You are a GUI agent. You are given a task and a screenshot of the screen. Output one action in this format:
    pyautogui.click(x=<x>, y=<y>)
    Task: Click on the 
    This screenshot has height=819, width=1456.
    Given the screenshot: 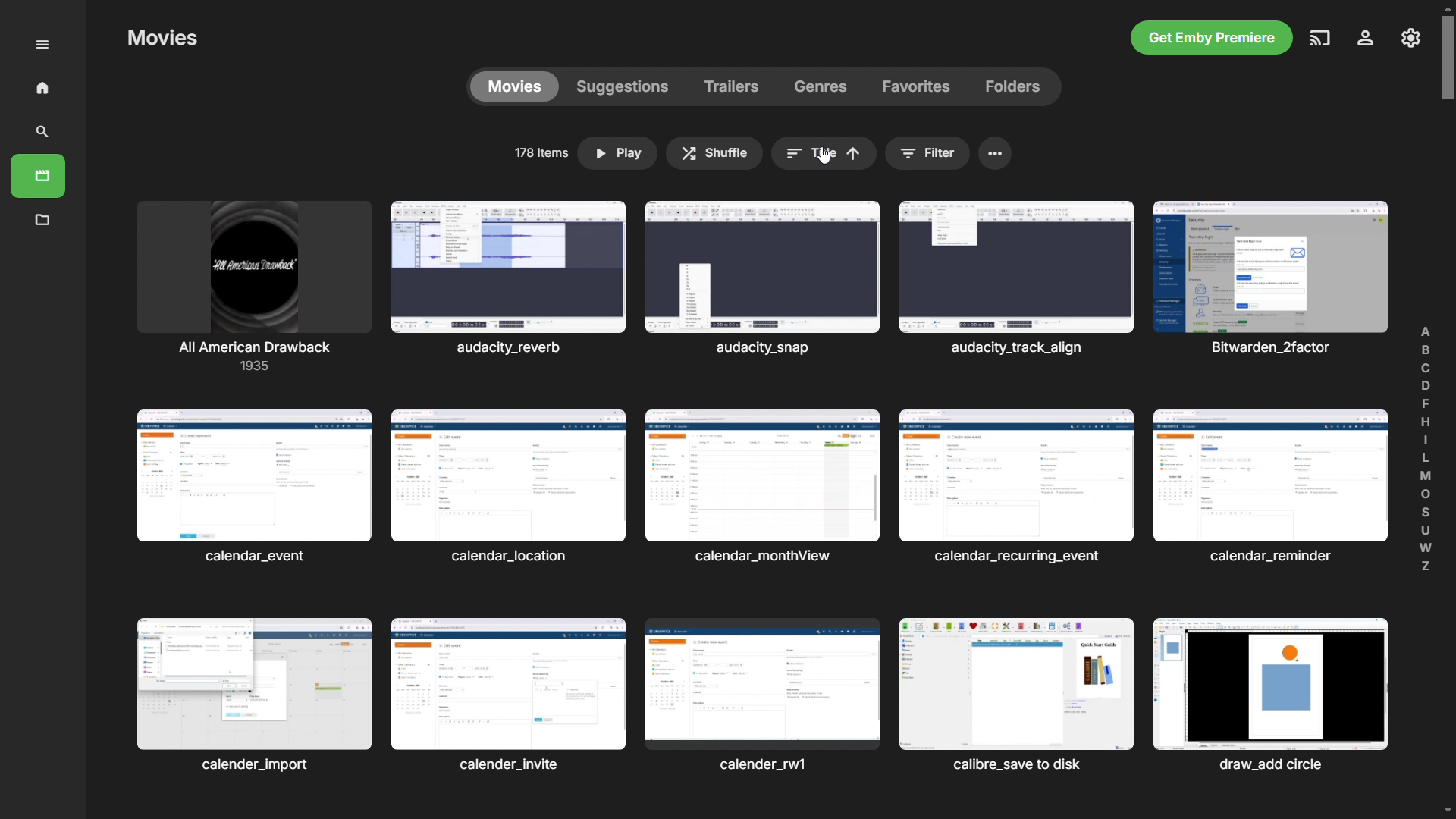 What is the action you would take?
    pyautogui.click(x=1274, y=695)
    